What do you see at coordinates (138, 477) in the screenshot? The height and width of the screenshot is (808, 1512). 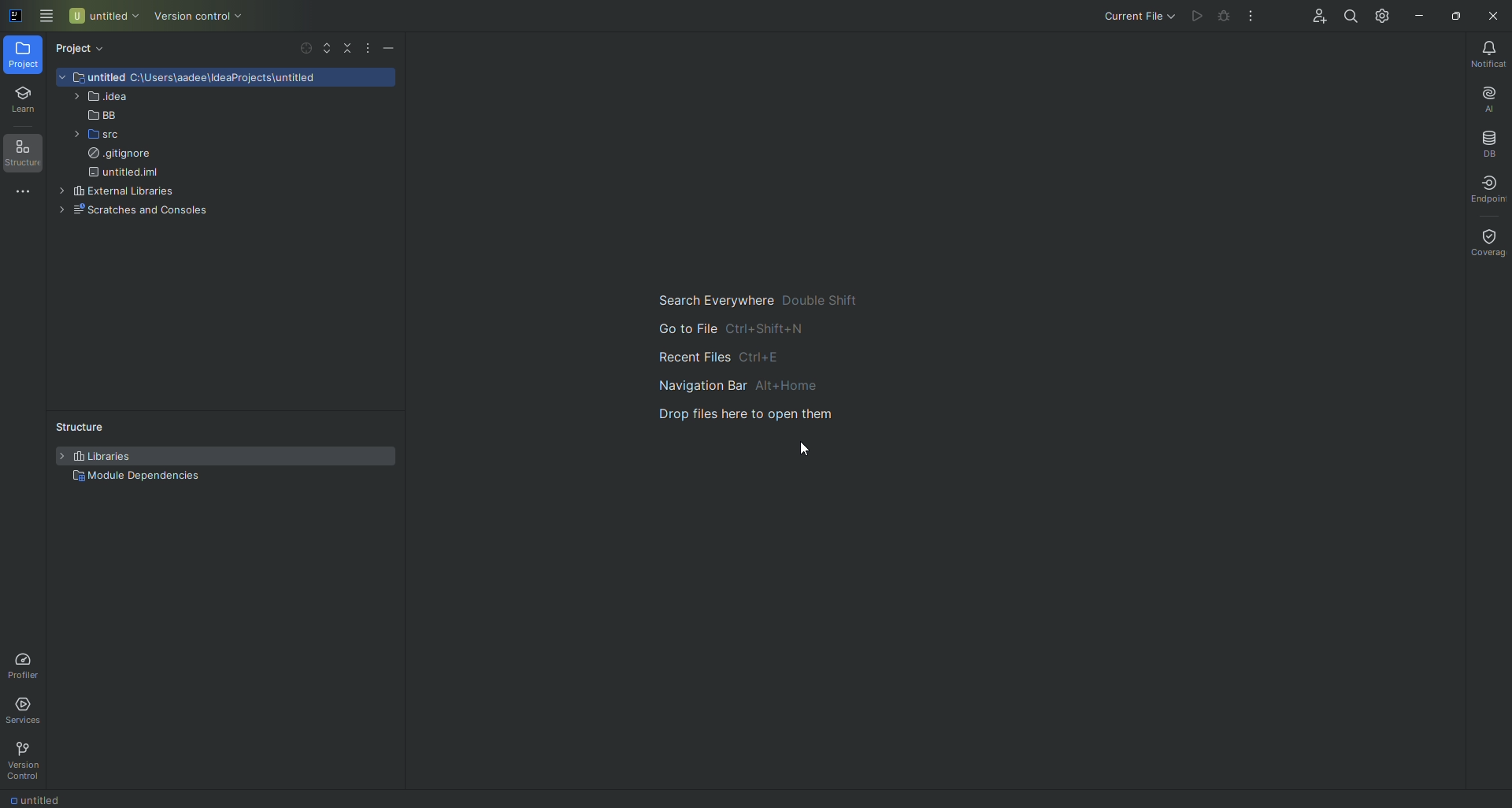 I see `Module Dependencies` at bounding box center [138, 477].